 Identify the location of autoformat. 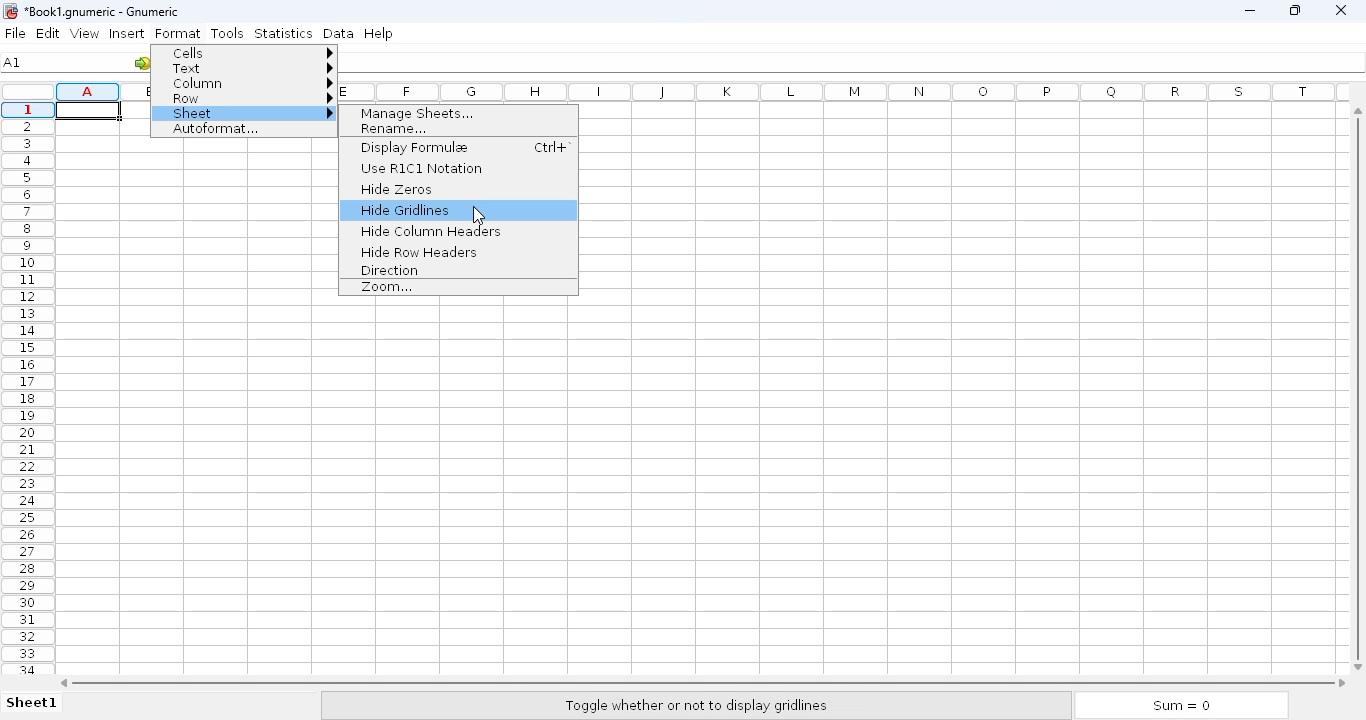
(215, 130).